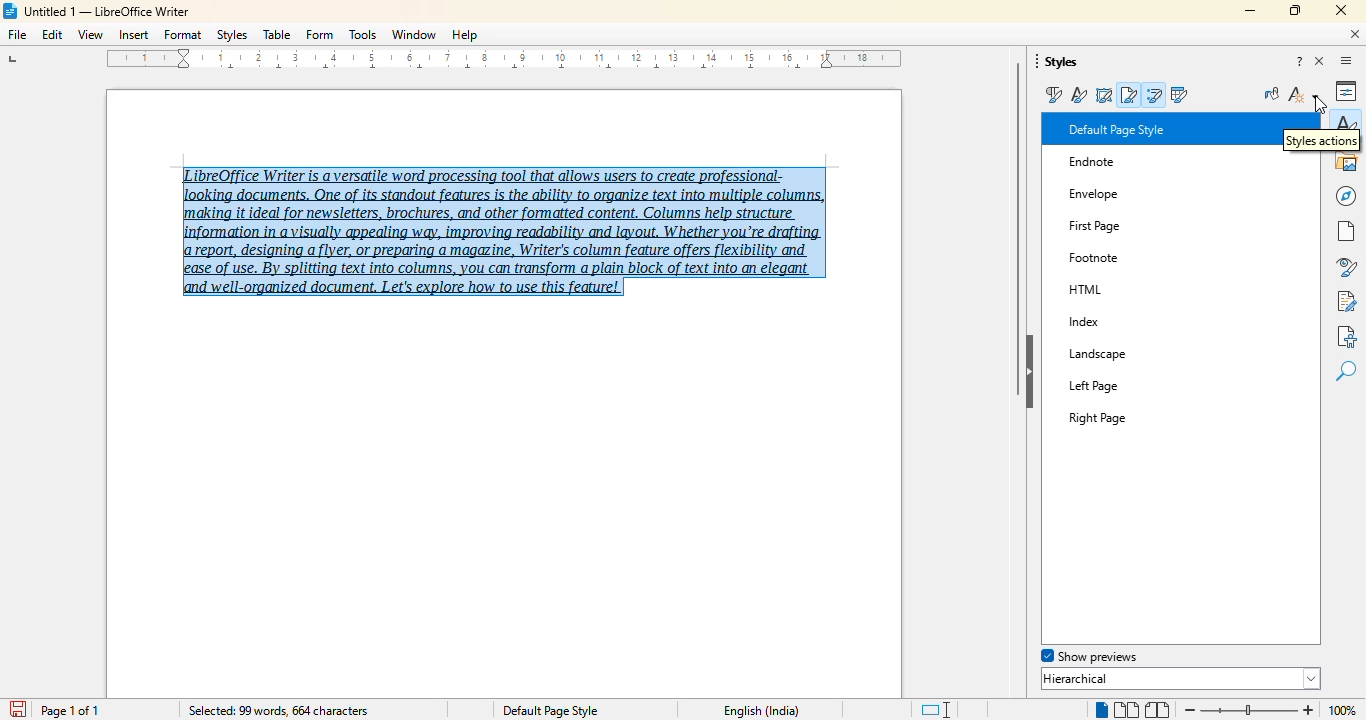 This screenshot has width=1366, height=720. Describe the element at coordinates (1346, 125) in the screenshot. I see `styles` at that location.